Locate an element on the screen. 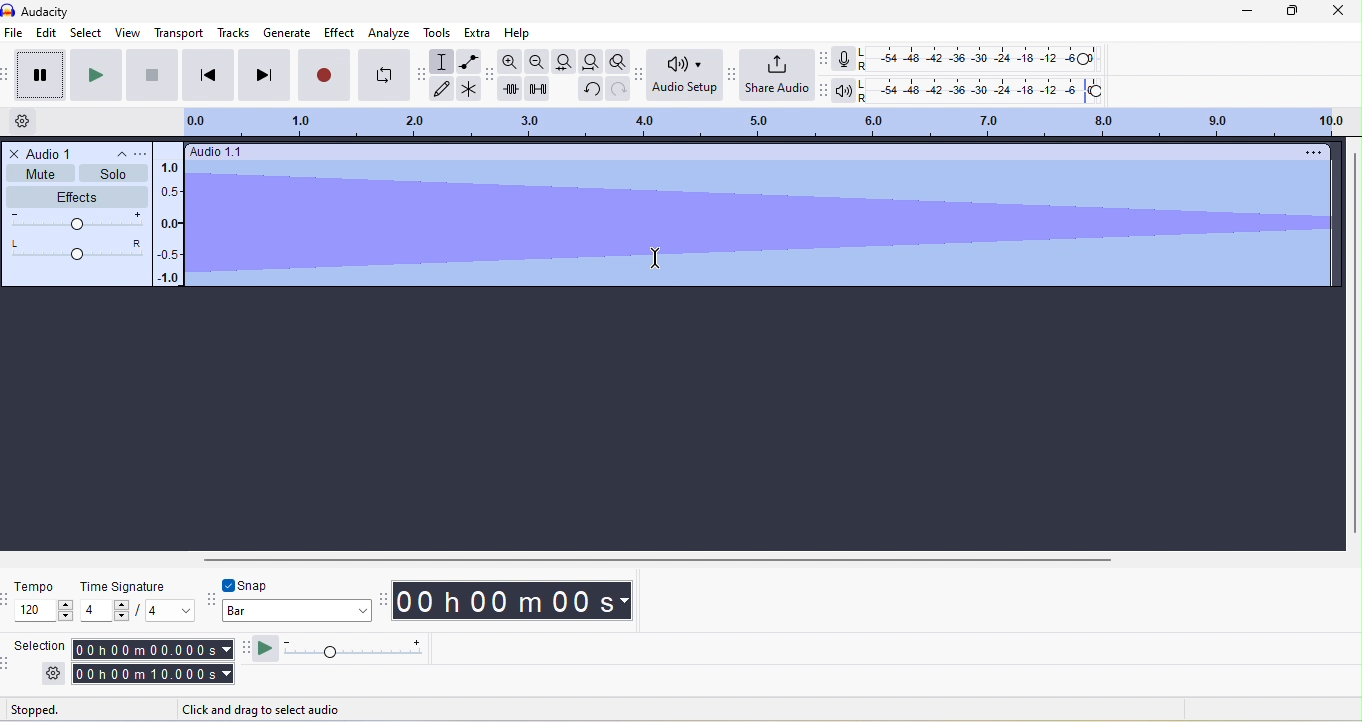  open menu is located at coordinates (138, 153).